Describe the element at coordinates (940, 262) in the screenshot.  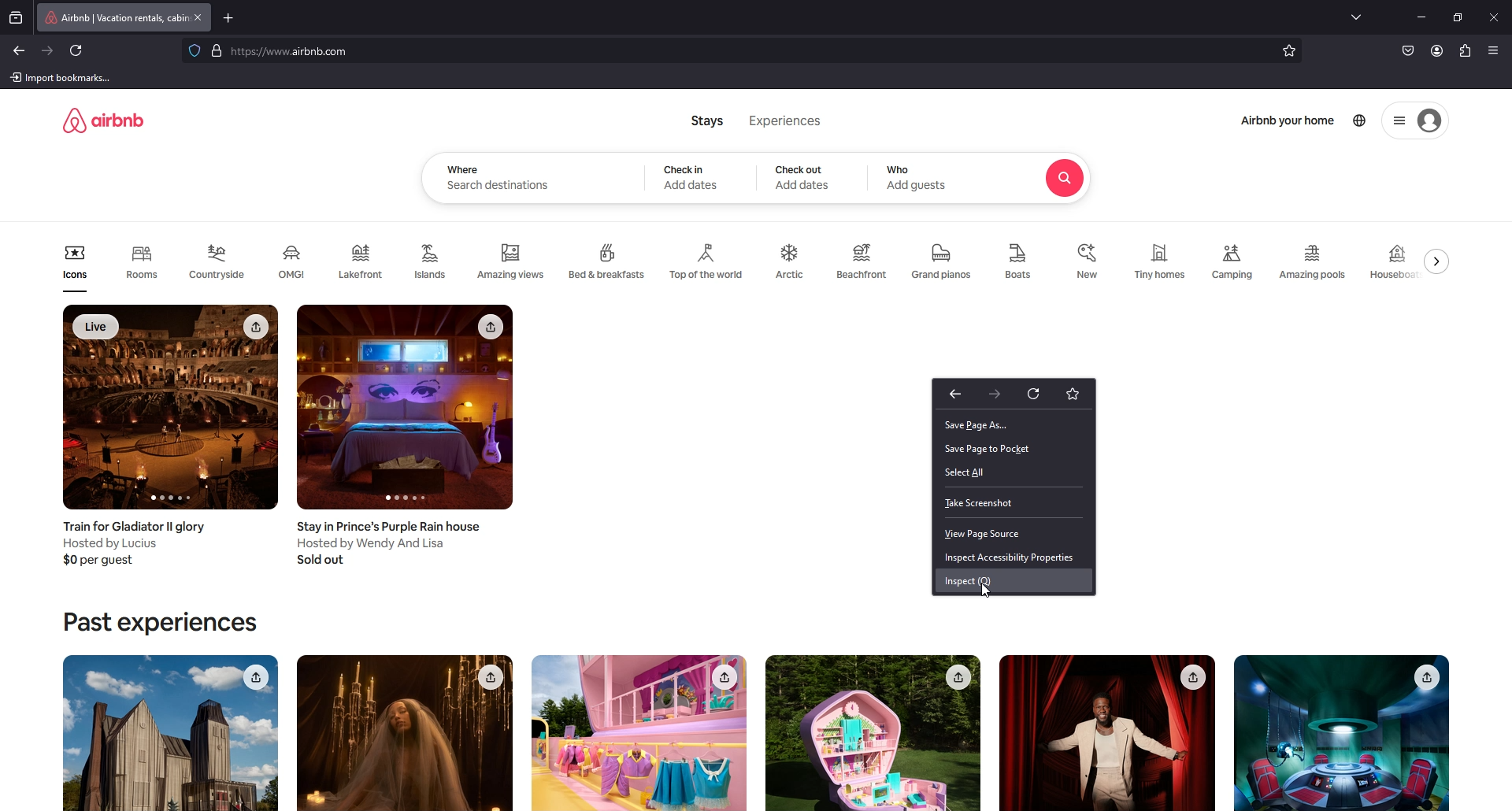
I see `grand pianos ` at that location.